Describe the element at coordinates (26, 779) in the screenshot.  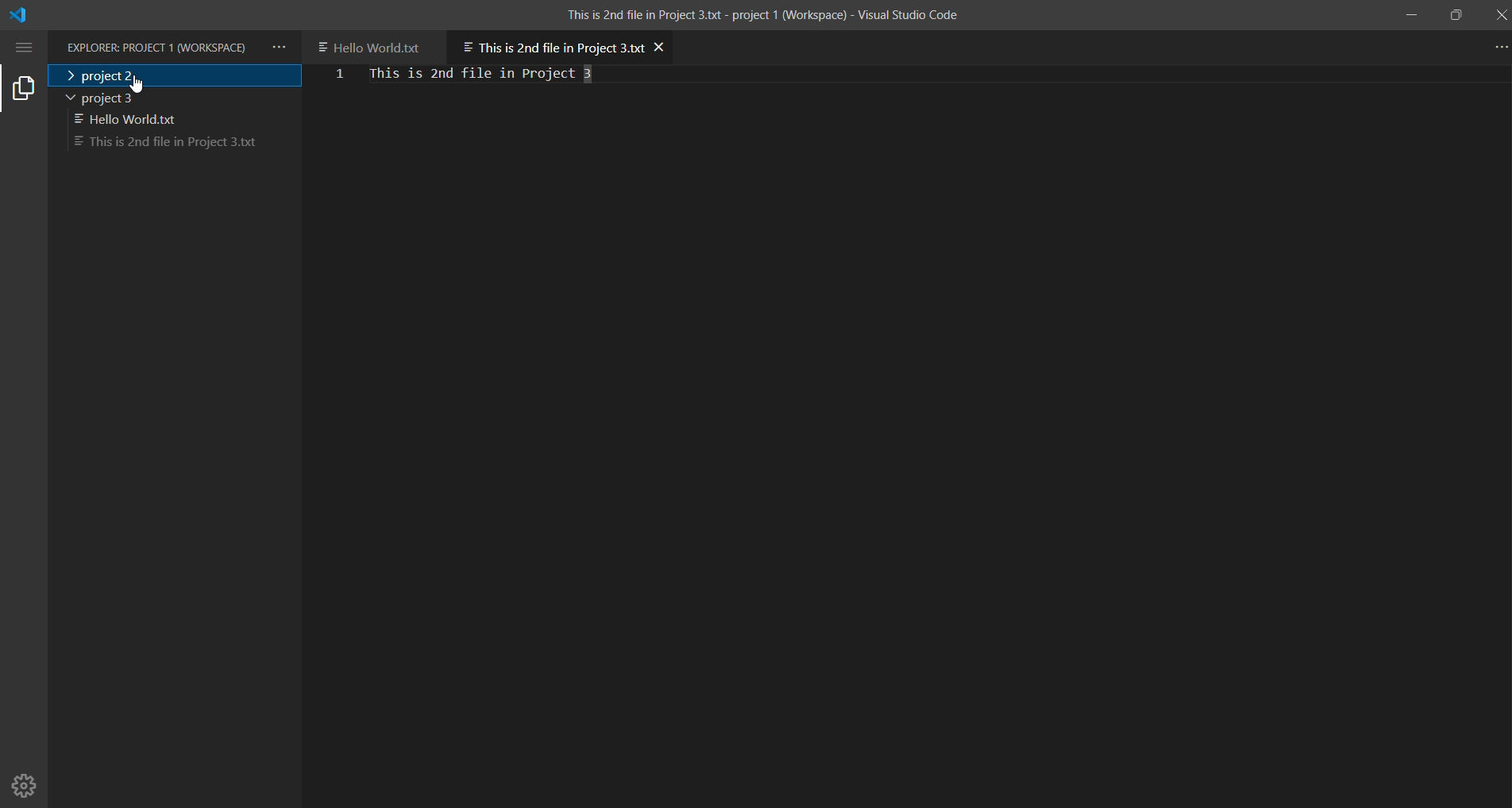
I see `Manage` at that location.